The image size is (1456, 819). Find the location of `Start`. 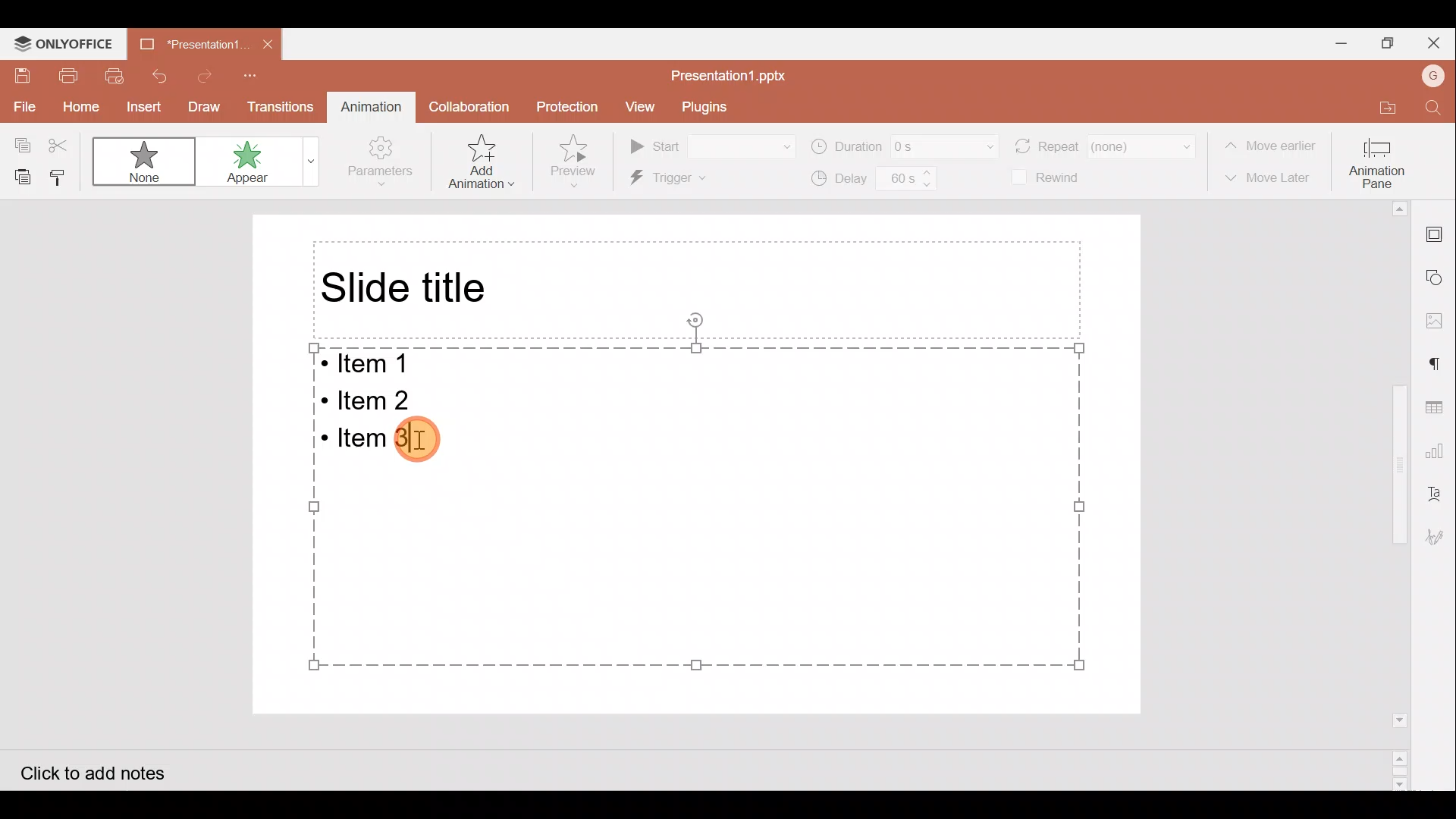

Start is located at coordinates (713, 144).